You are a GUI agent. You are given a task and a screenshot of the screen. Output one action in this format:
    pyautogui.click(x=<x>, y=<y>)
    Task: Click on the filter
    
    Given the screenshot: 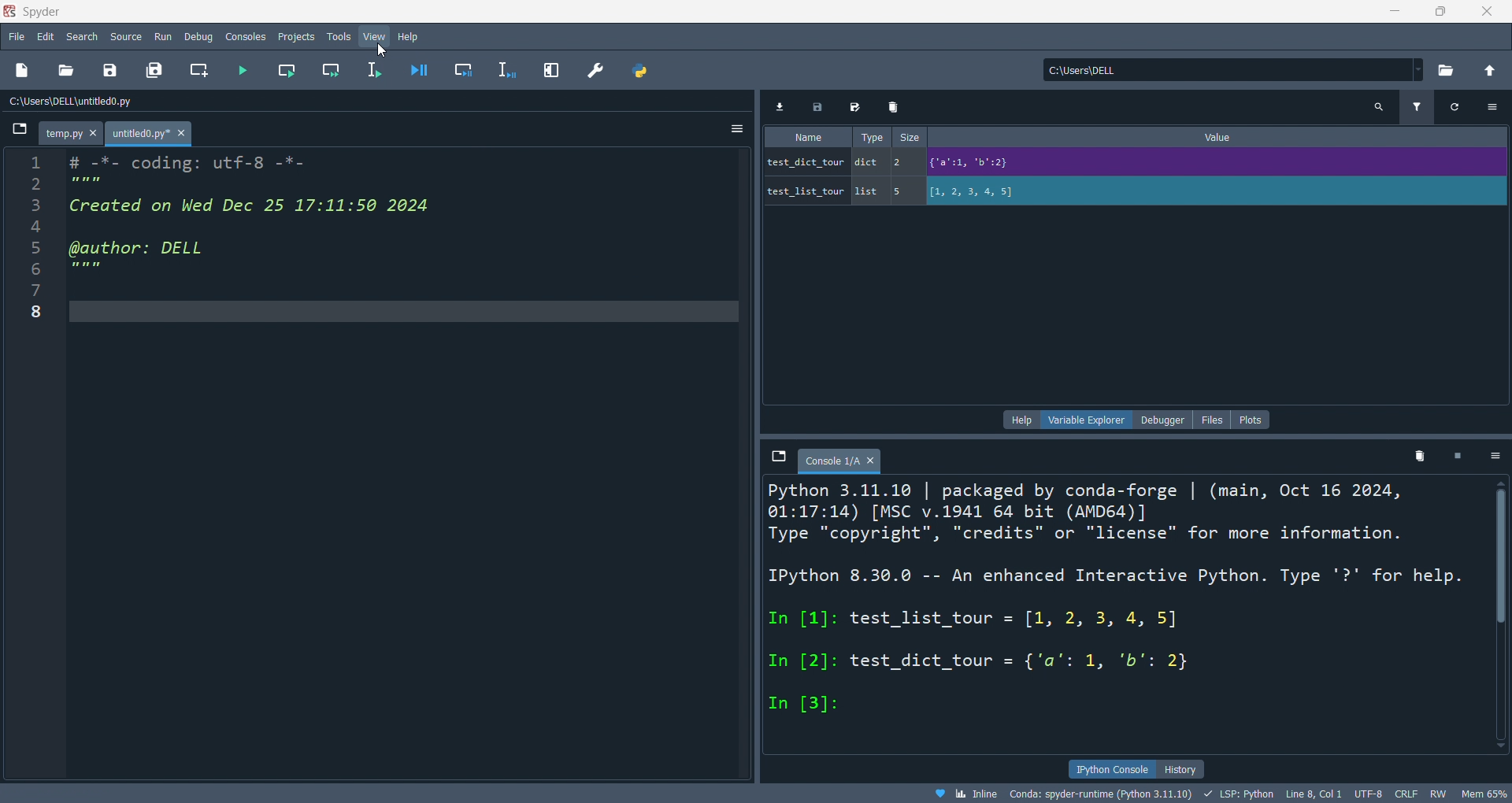 What is the action you would take?
    pyautogui.click(x=1417, y=108)
    